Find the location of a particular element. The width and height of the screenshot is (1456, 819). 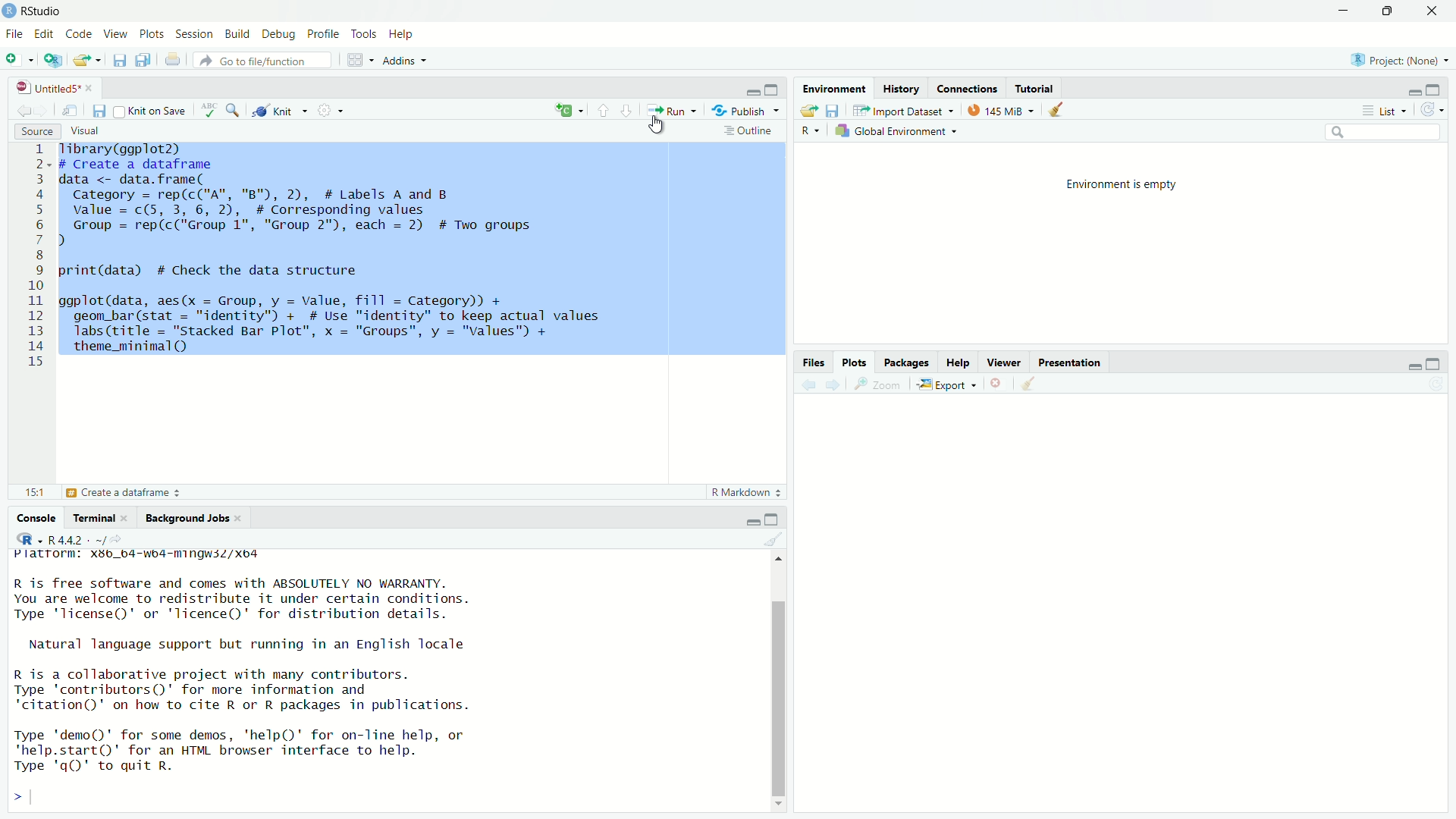

Maximize is located at coordinates (1395, 12).